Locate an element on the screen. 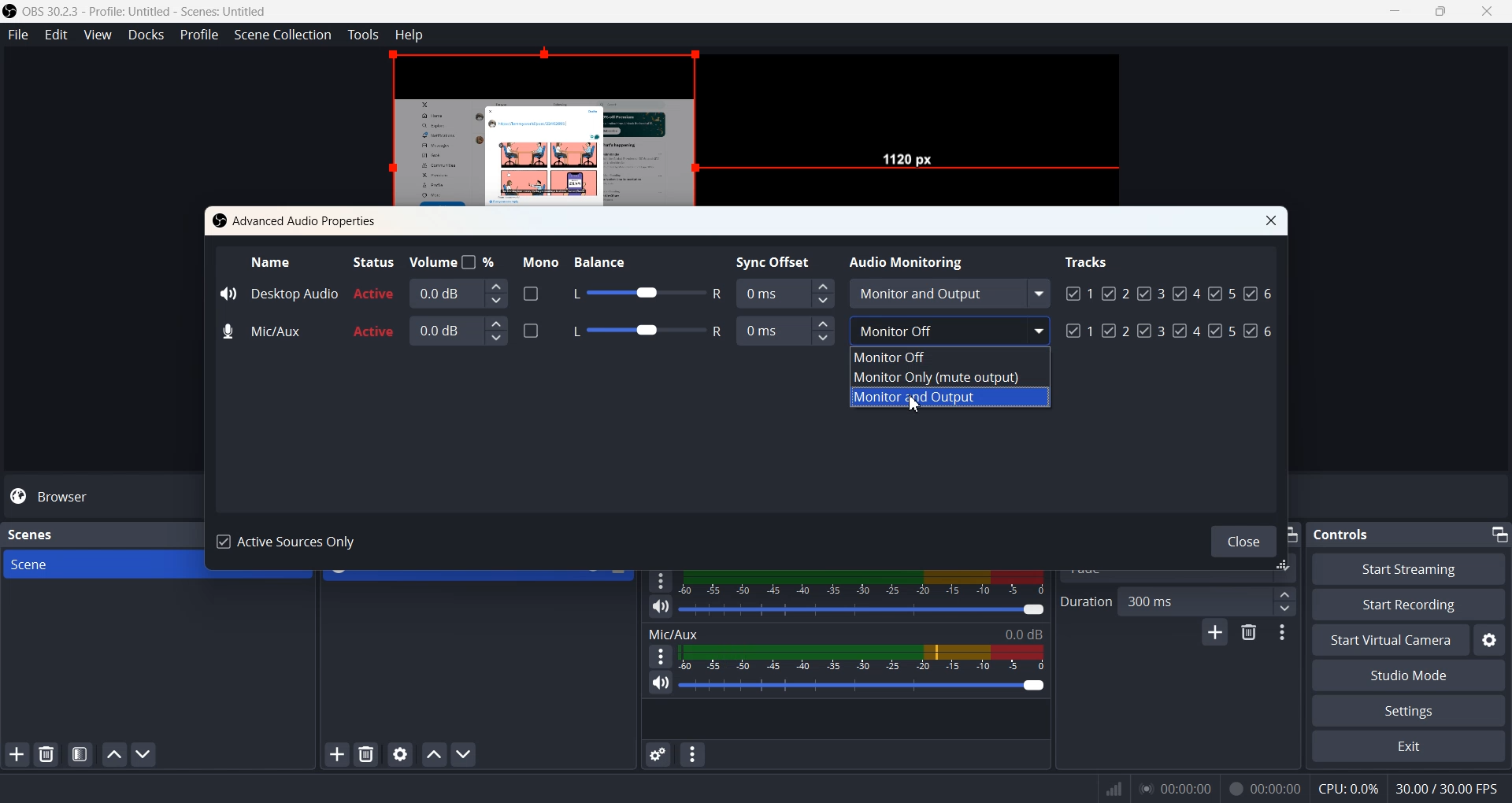 Image resolution: width=1512 pixels, height=803 pixels. Minimize is located at coordinates (1498, 531).